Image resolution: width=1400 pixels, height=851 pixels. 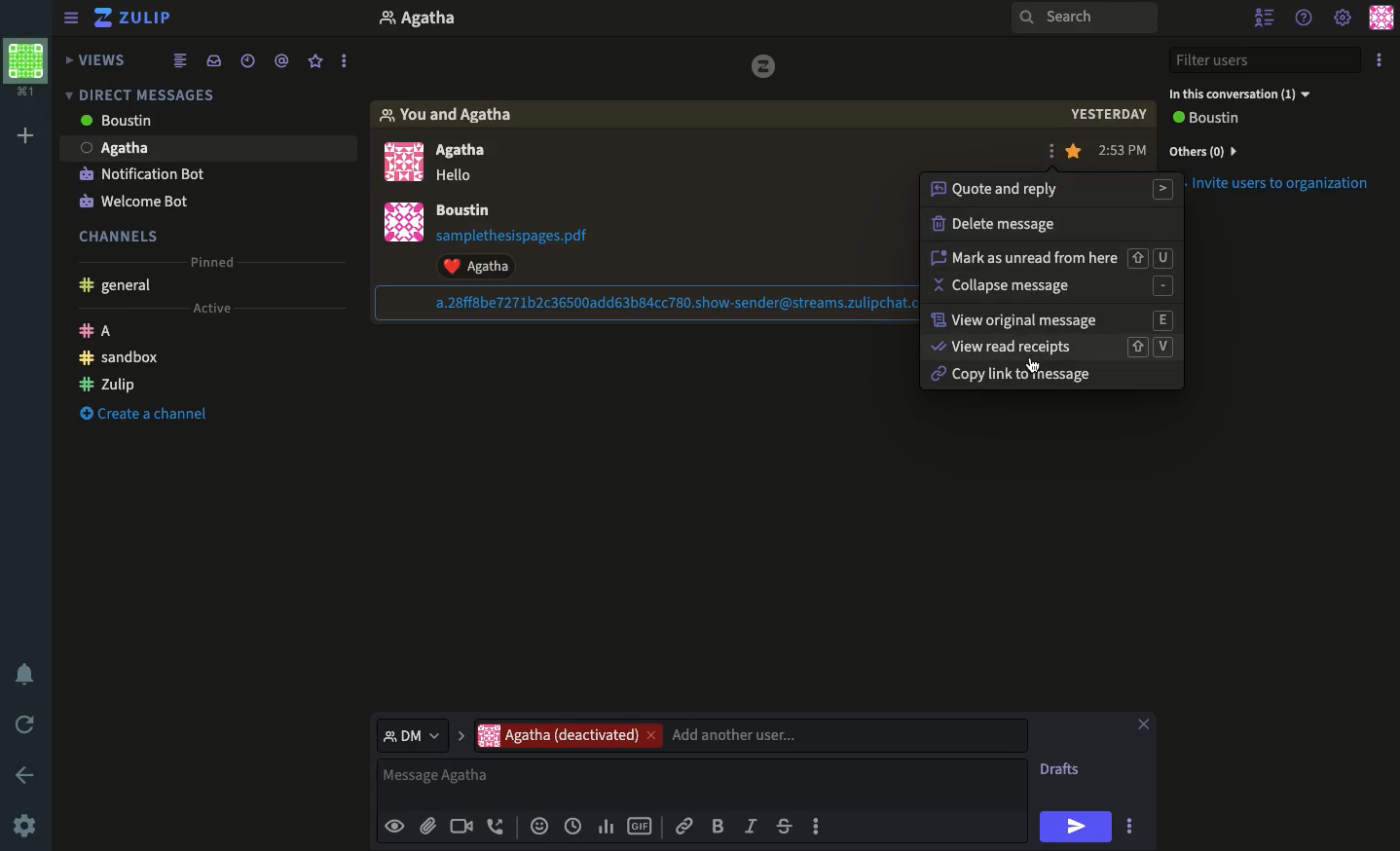 I want to click on Settings, so click(x=1344, y=16).